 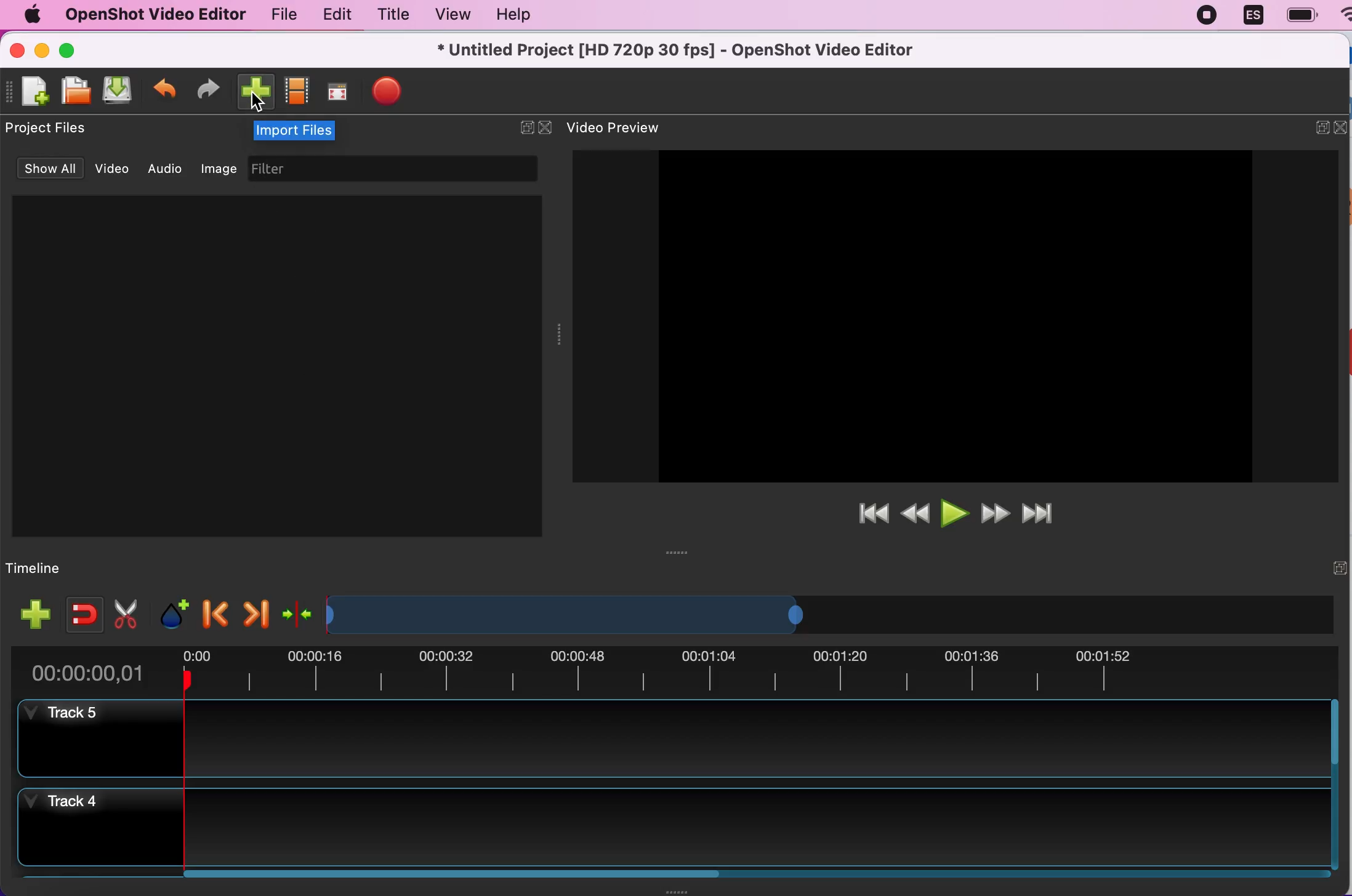 I want to click on expand/hide, so click(x=1316, y=126).